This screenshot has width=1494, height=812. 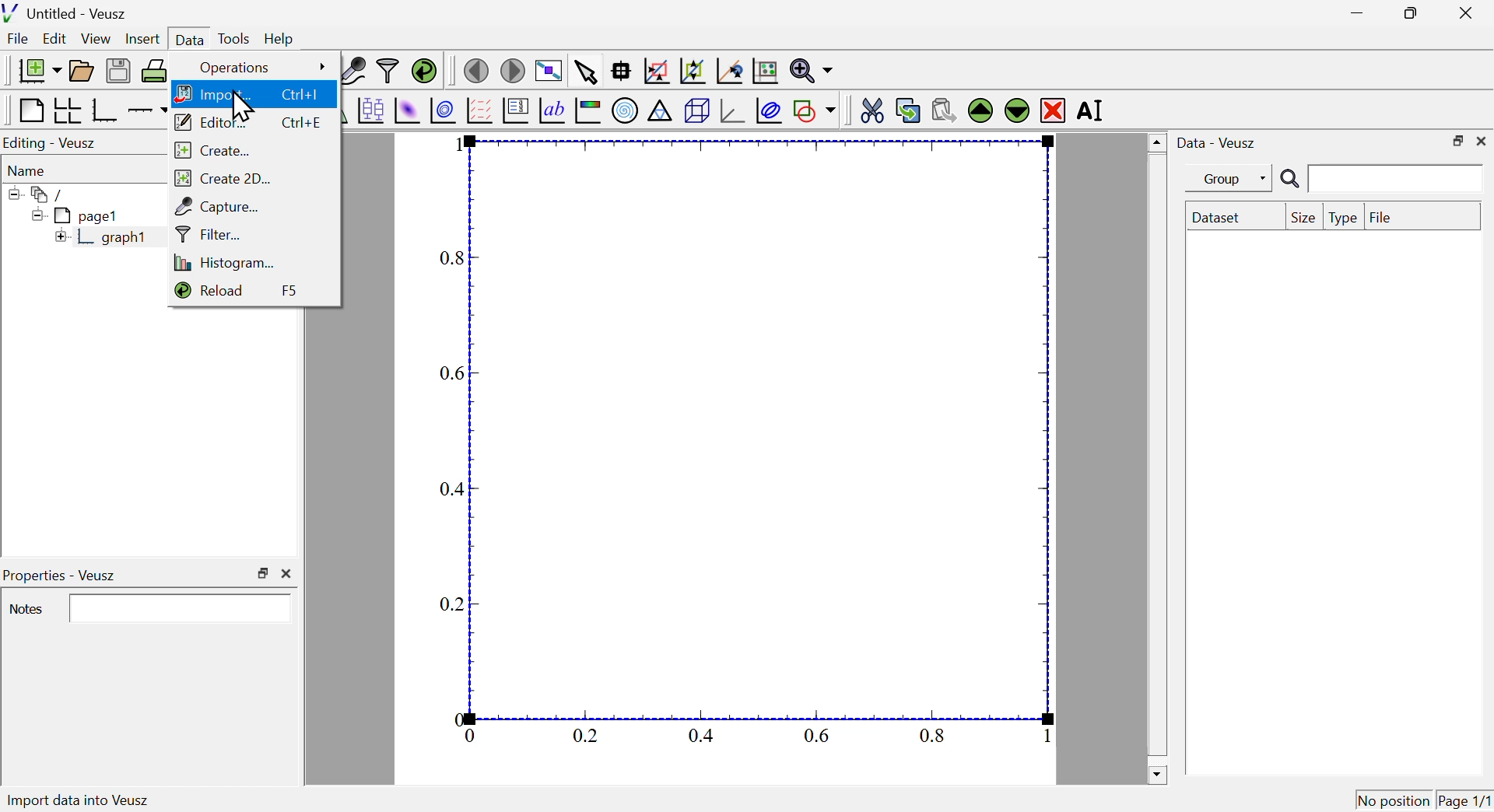 What do you see at coordinates (53, 143) in the screenshot?
I see `Editing Veusz` at bounding box center [53, 143].